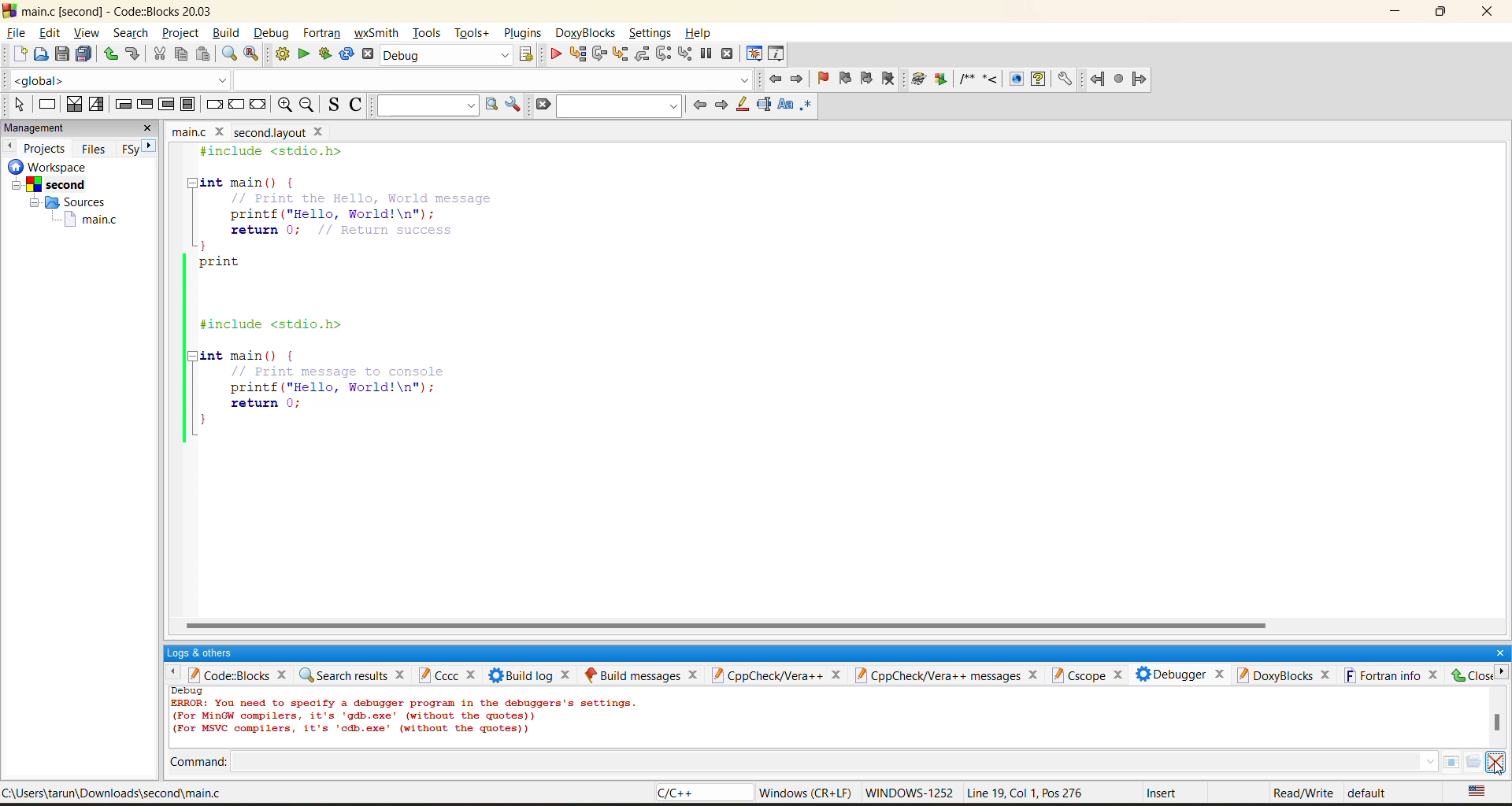 This screenshot has width=1512, height=806. What do you see at coordinates (202, 57) in the screenshot?
I see `paste` at bounding box center [202, 57].